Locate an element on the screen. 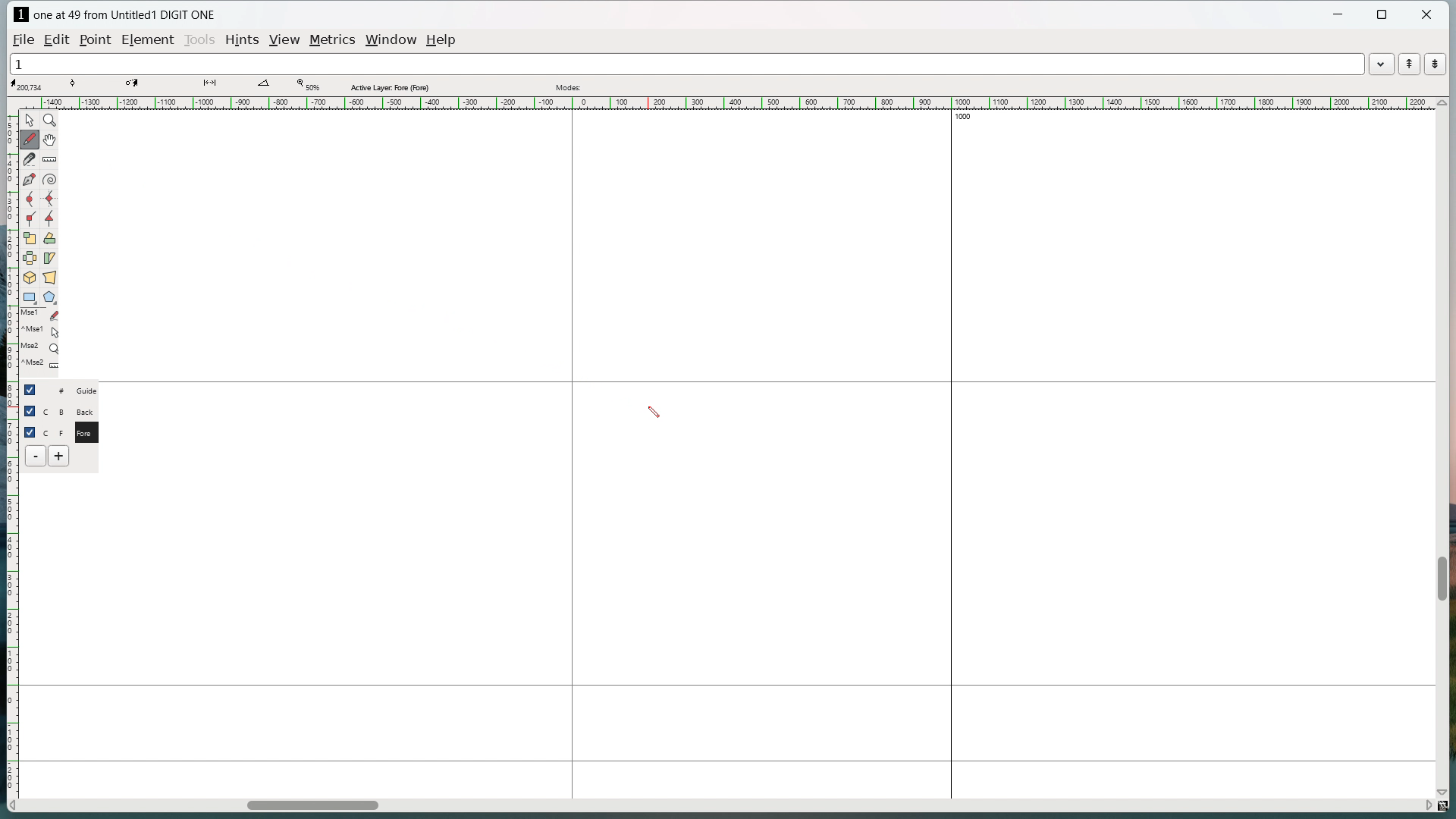  minimize is located at coordinates (1340, 16).